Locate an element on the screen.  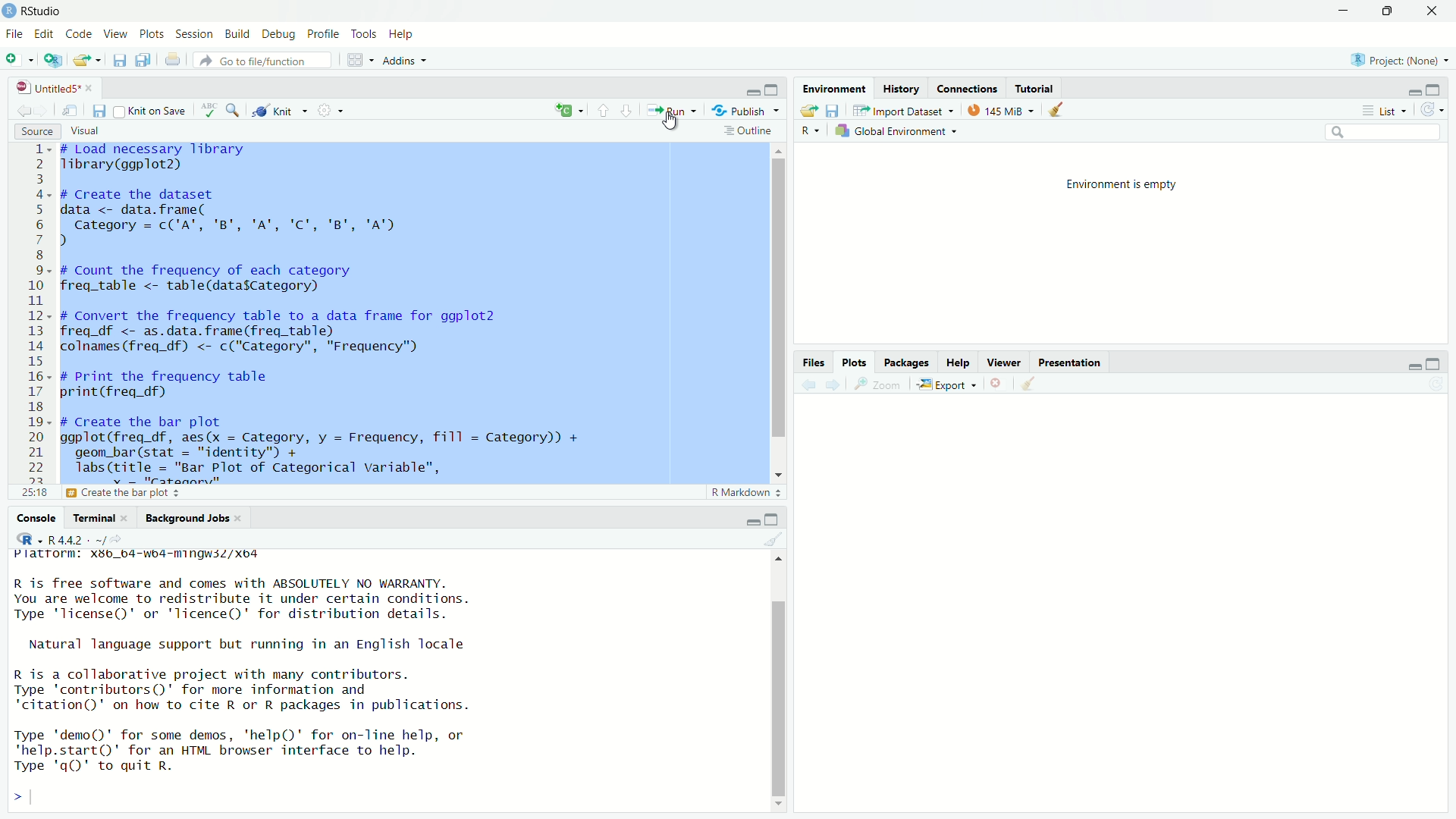
maximize is located at coordinates (1435, 90).